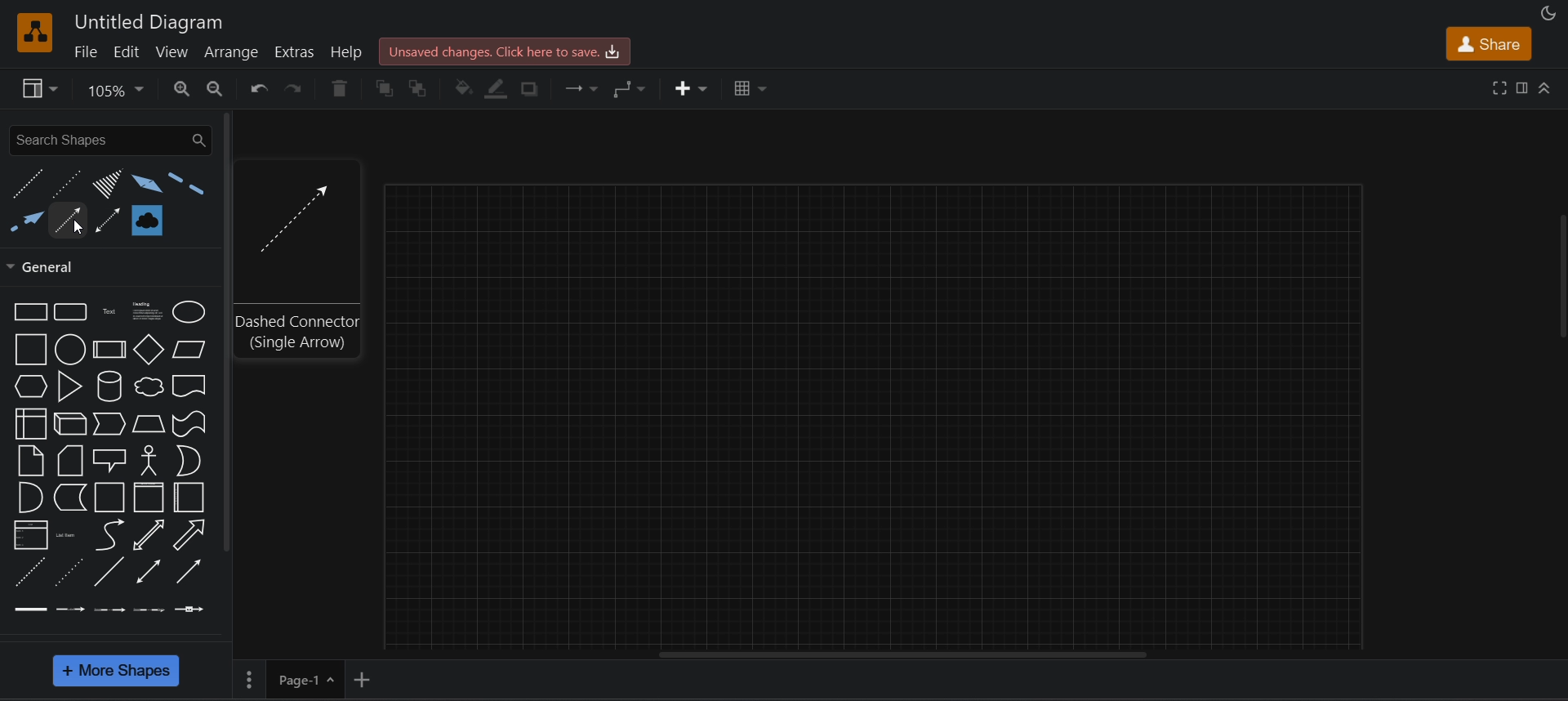 This screenshot has width=1568, height=701. I want to click on process, so click(109, 350).